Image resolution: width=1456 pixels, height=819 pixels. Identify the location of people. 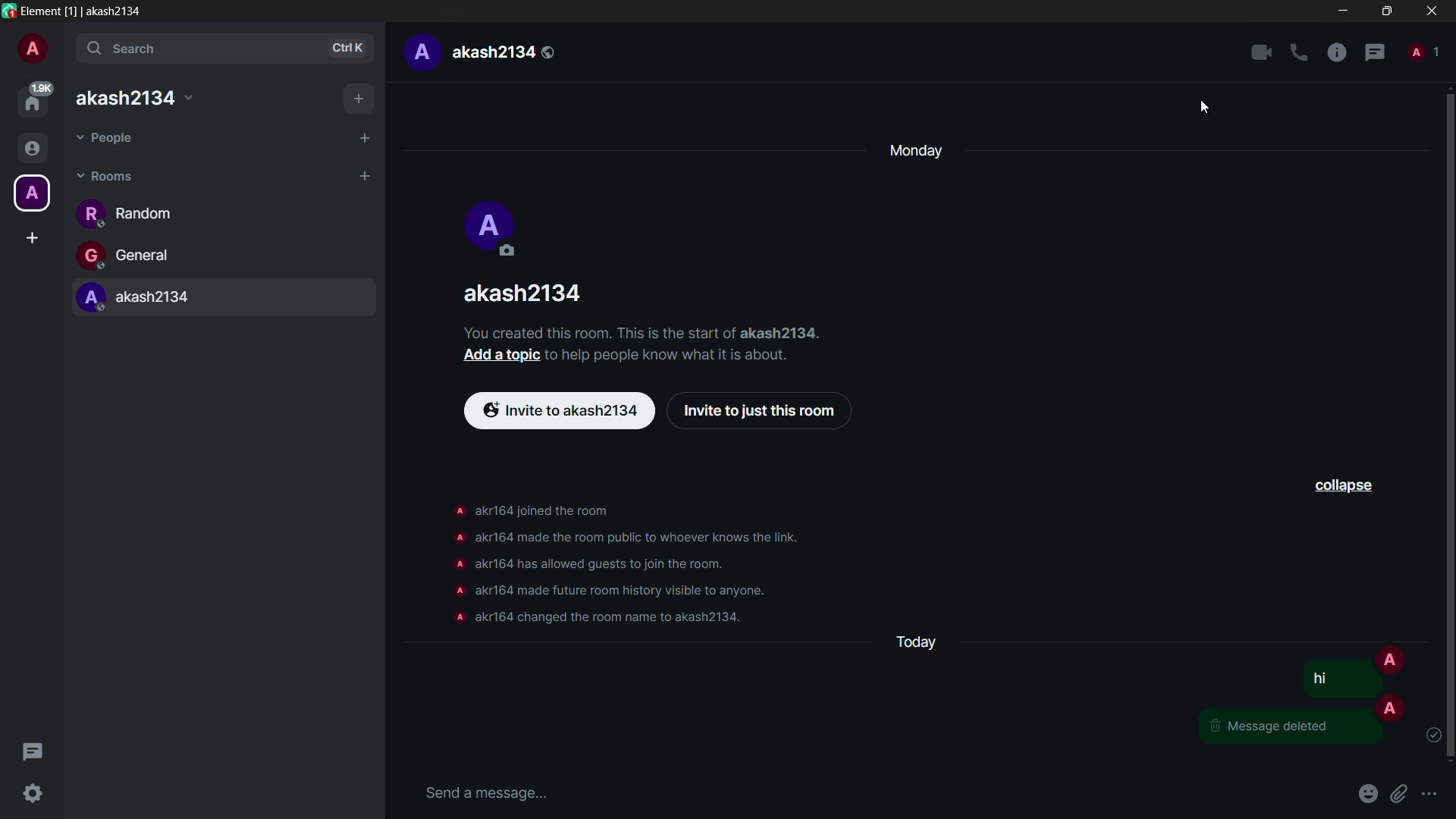
(1422, 50).